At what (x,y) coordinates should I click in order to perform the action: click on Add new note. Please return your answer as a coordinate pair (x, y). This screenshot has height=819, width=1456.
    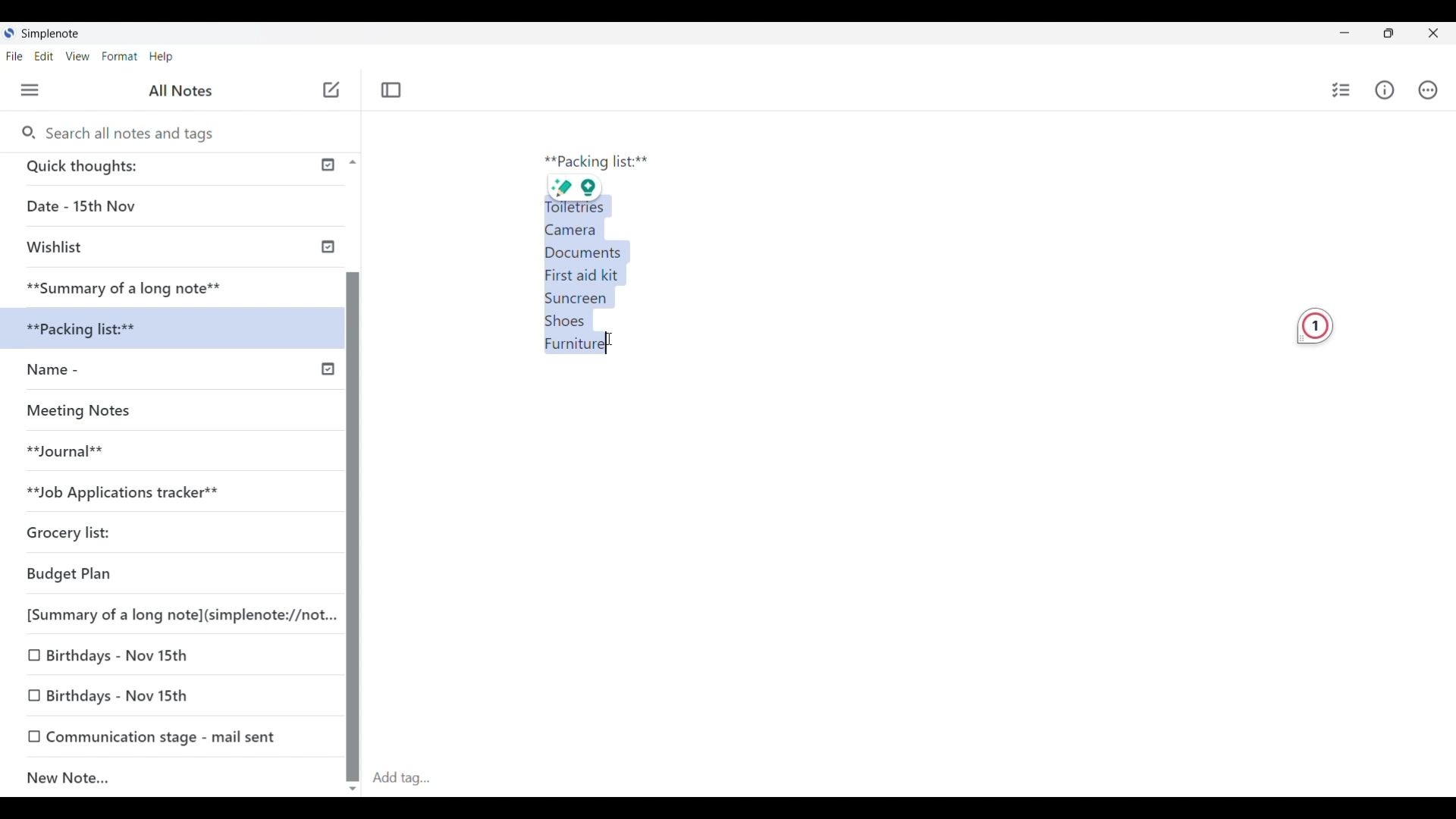
    Looking at the image, I should click on (331, 89).